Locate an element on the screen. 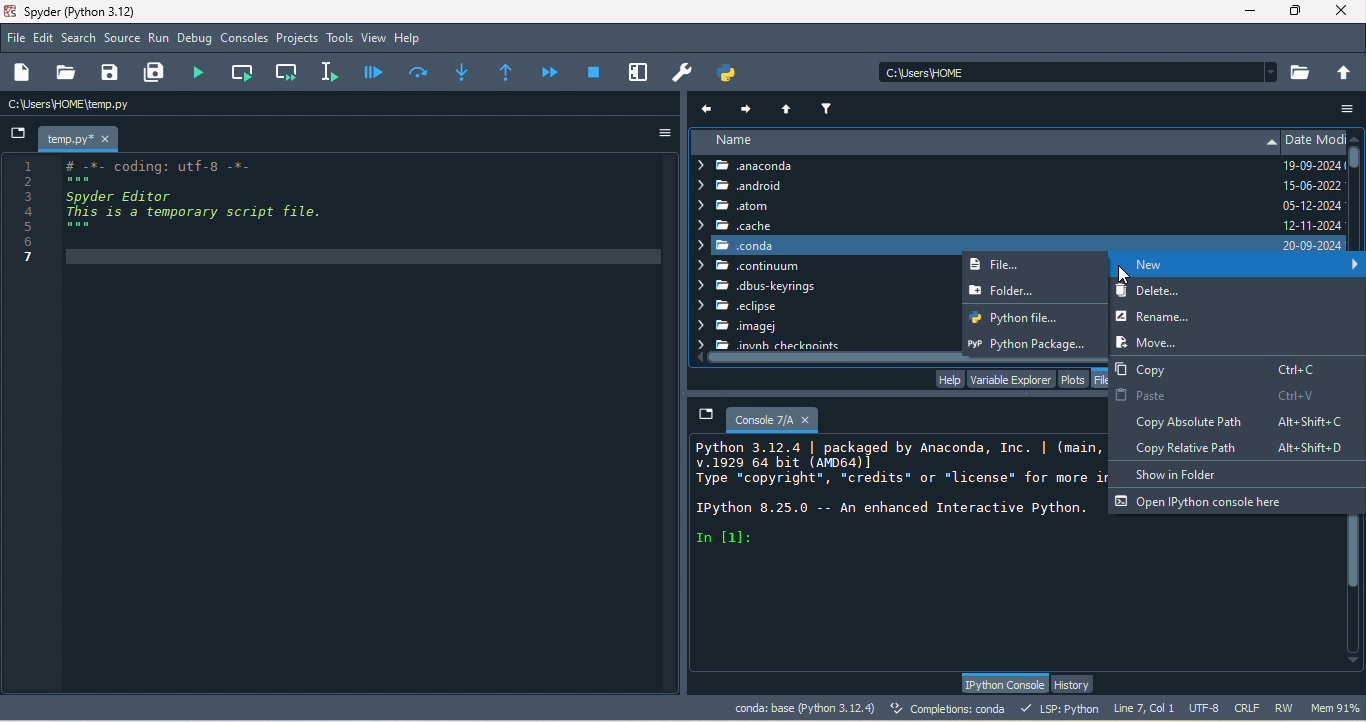 The image size is (1366, 722). run is located at coordinates (159, 39).